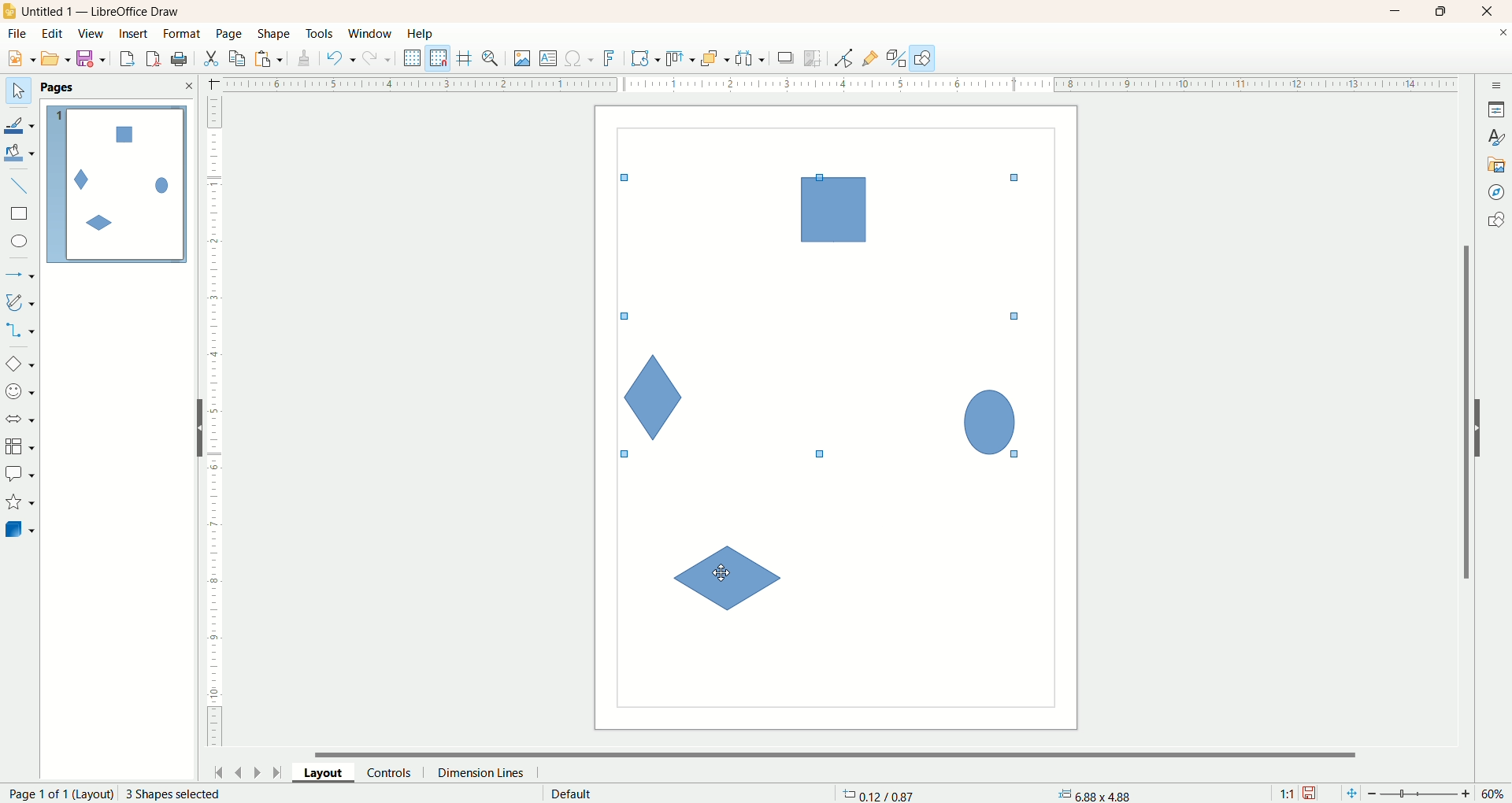 The image size is (1512, 803). Describe the element at coordinates (716, 57) in the screenshot. I see `arrange` at that location.